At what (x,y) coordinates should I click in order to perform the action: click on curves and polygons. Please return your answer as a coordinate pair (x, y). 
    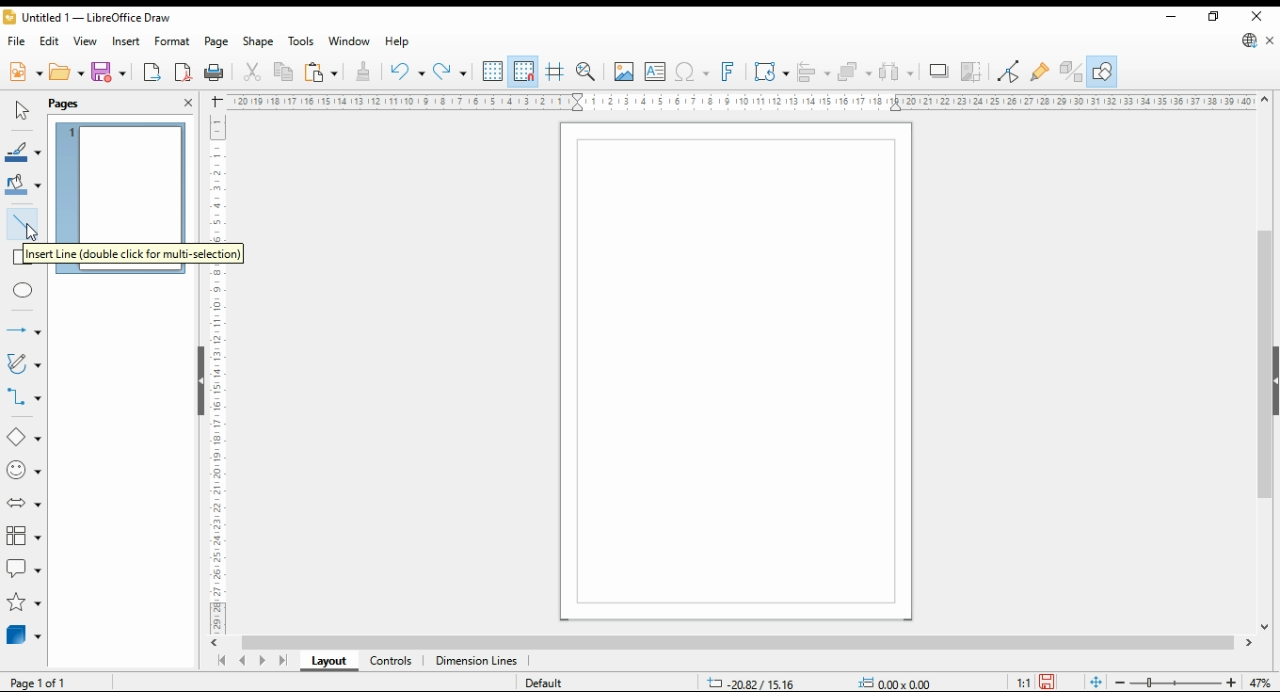
    Looking at the image, I should click on (25, 363).